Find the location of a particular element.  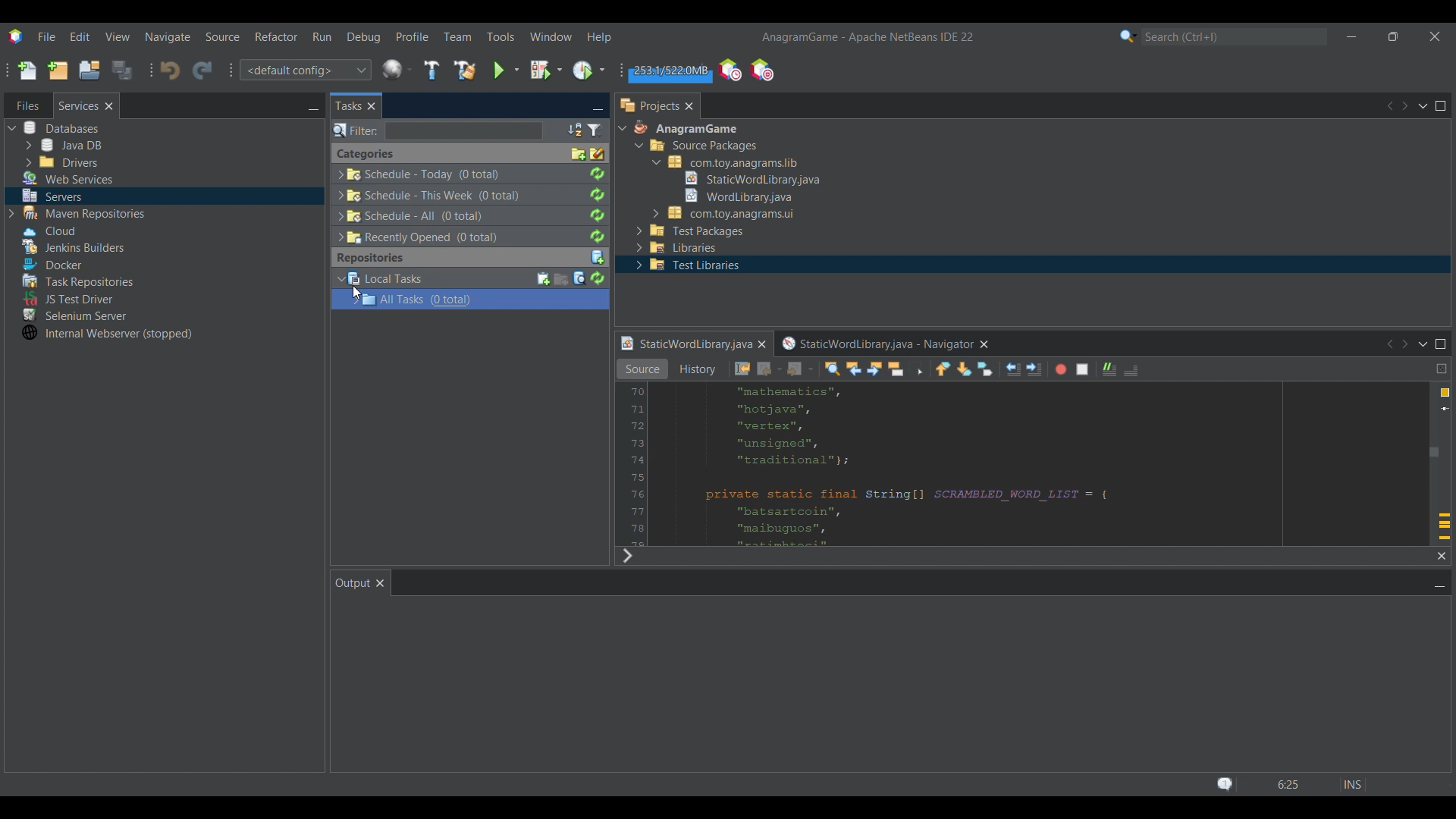

Close interface is located at coordinates (1435, 36).